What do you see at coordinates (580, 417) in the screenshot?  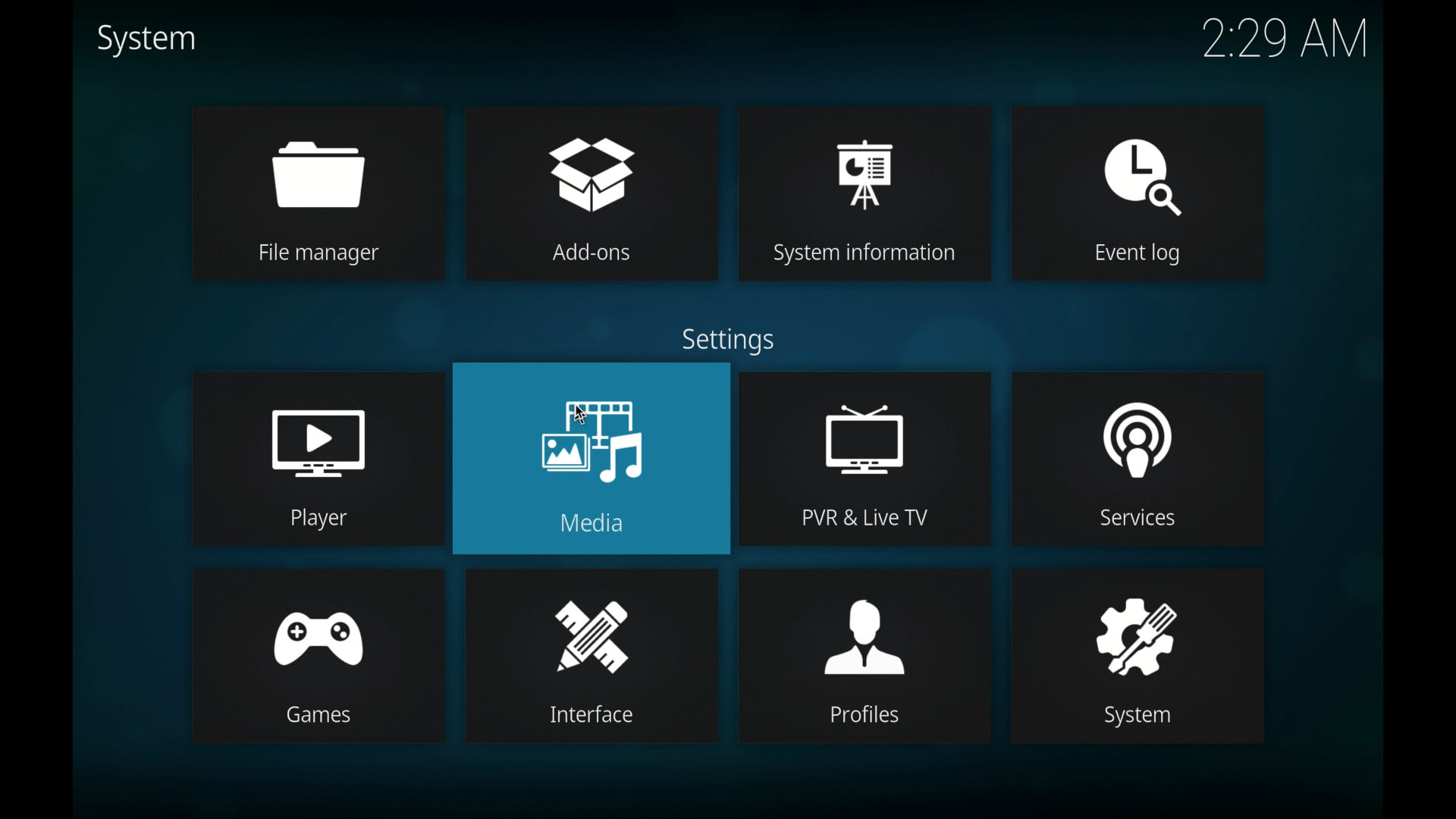 I see `cursor` at bounding box center [580, 417].